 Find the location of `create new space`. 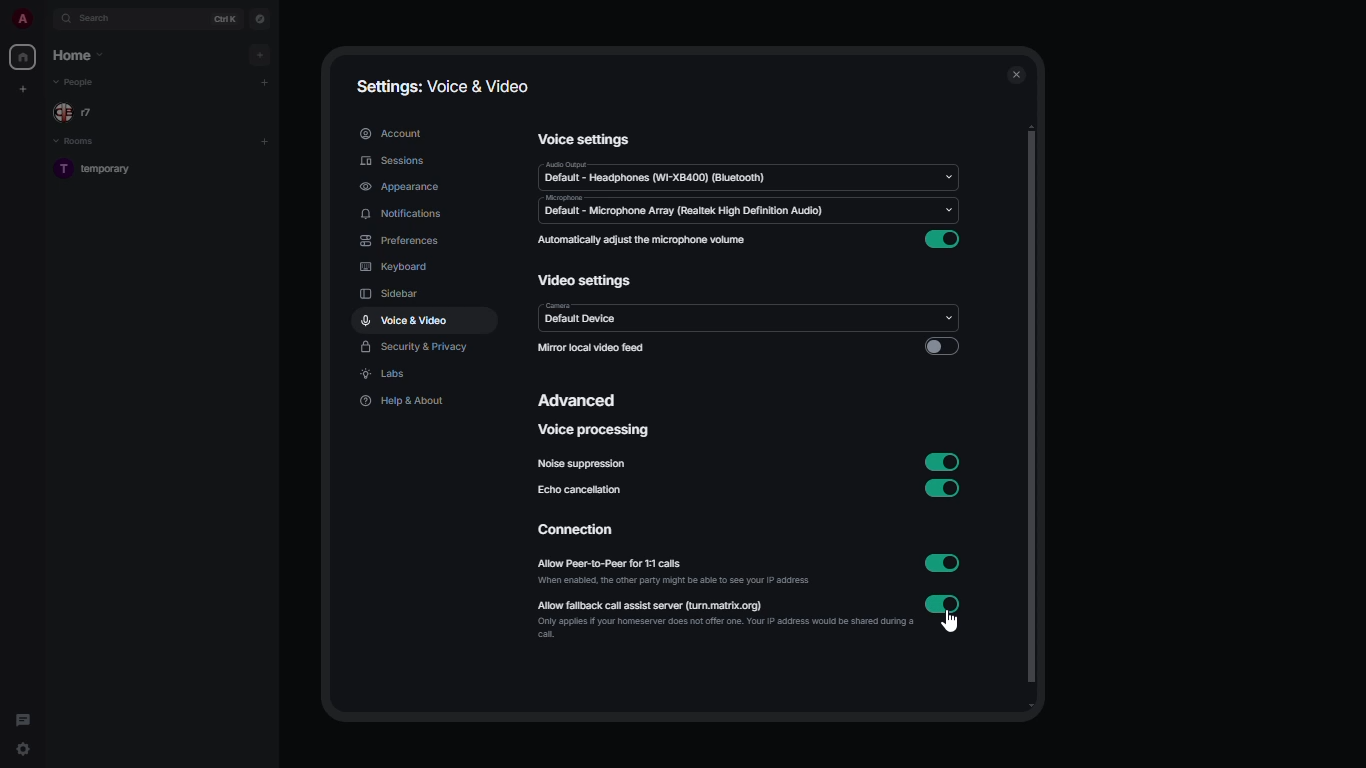

create new space is located at coordinates (22, 88).